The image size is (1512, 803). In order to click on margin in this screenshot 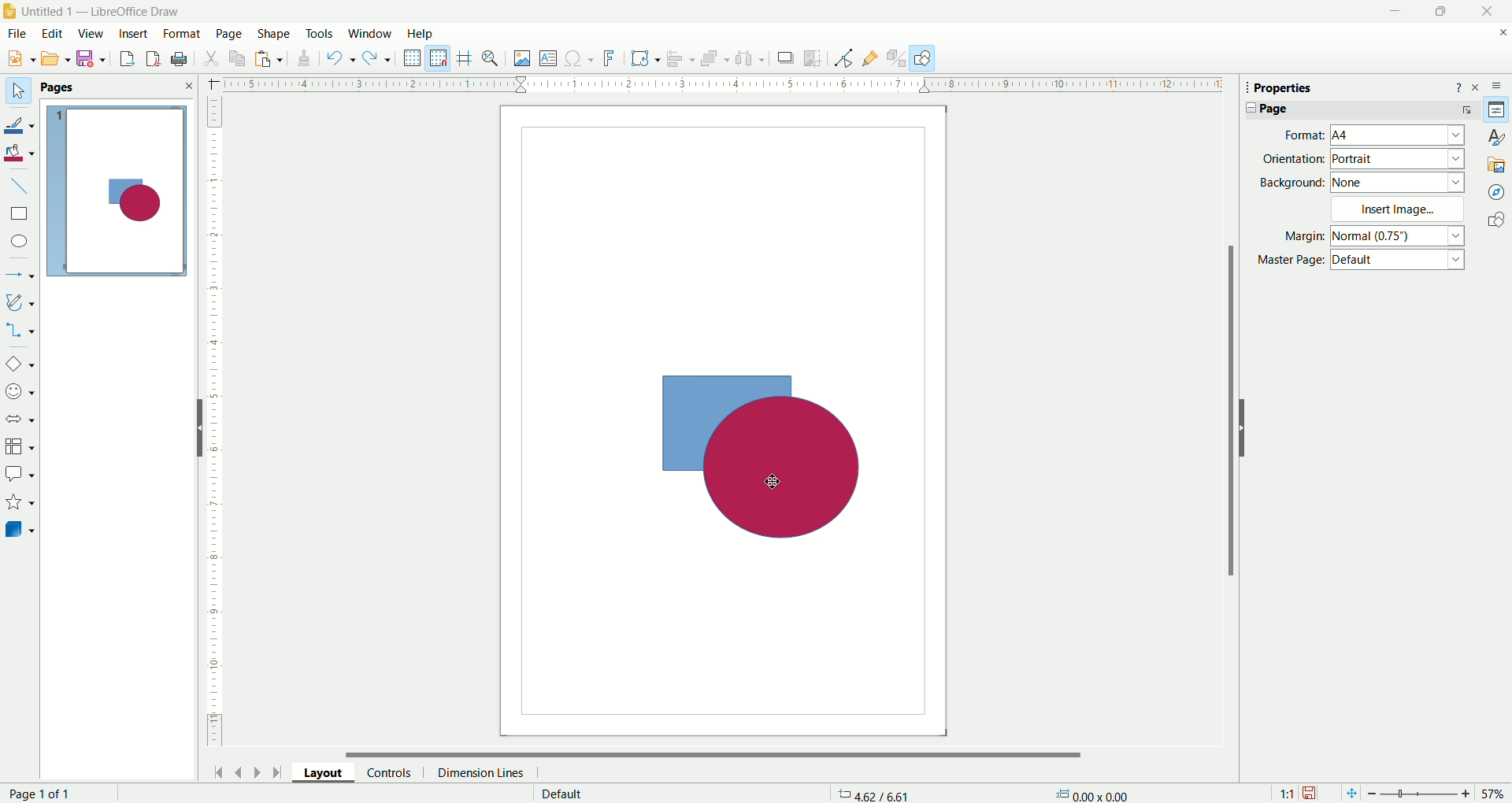, I will do `click(1372, 238)`.